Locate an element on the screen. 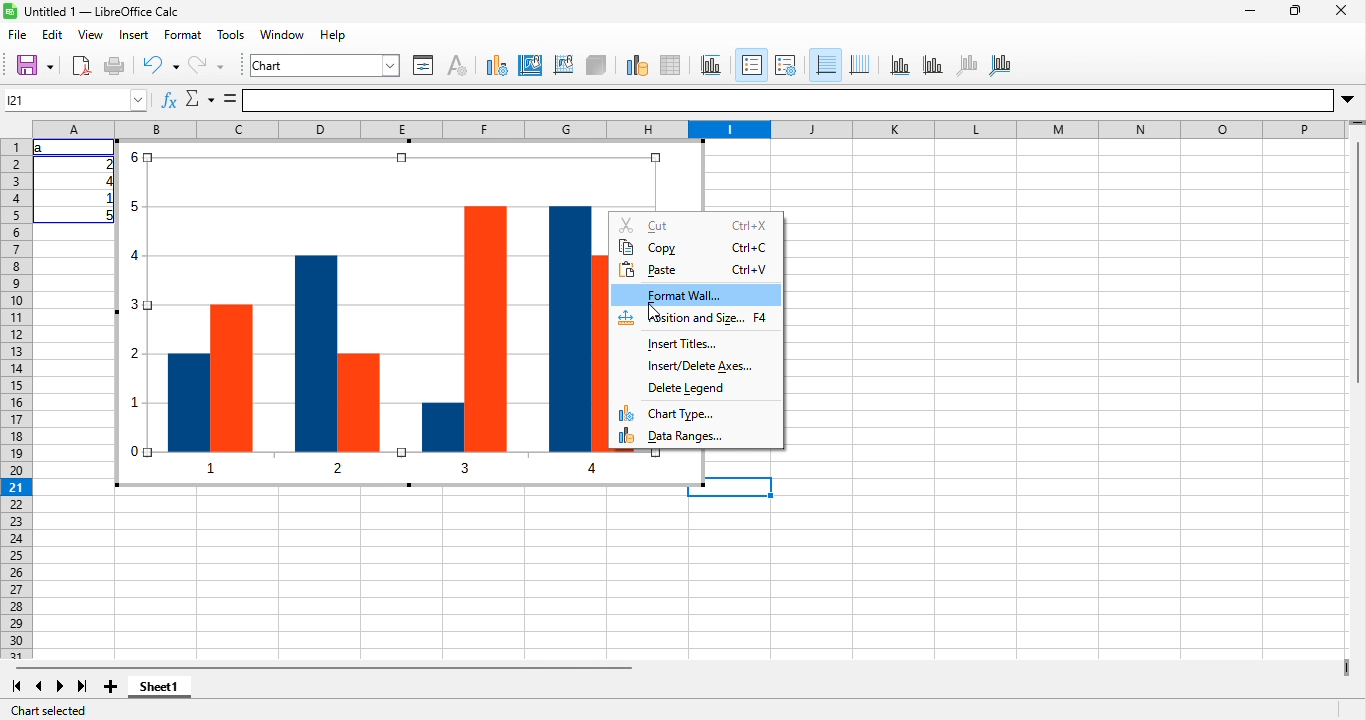 This screenshot has height=720, width=1366. redo is located at coordinates (206, 66).